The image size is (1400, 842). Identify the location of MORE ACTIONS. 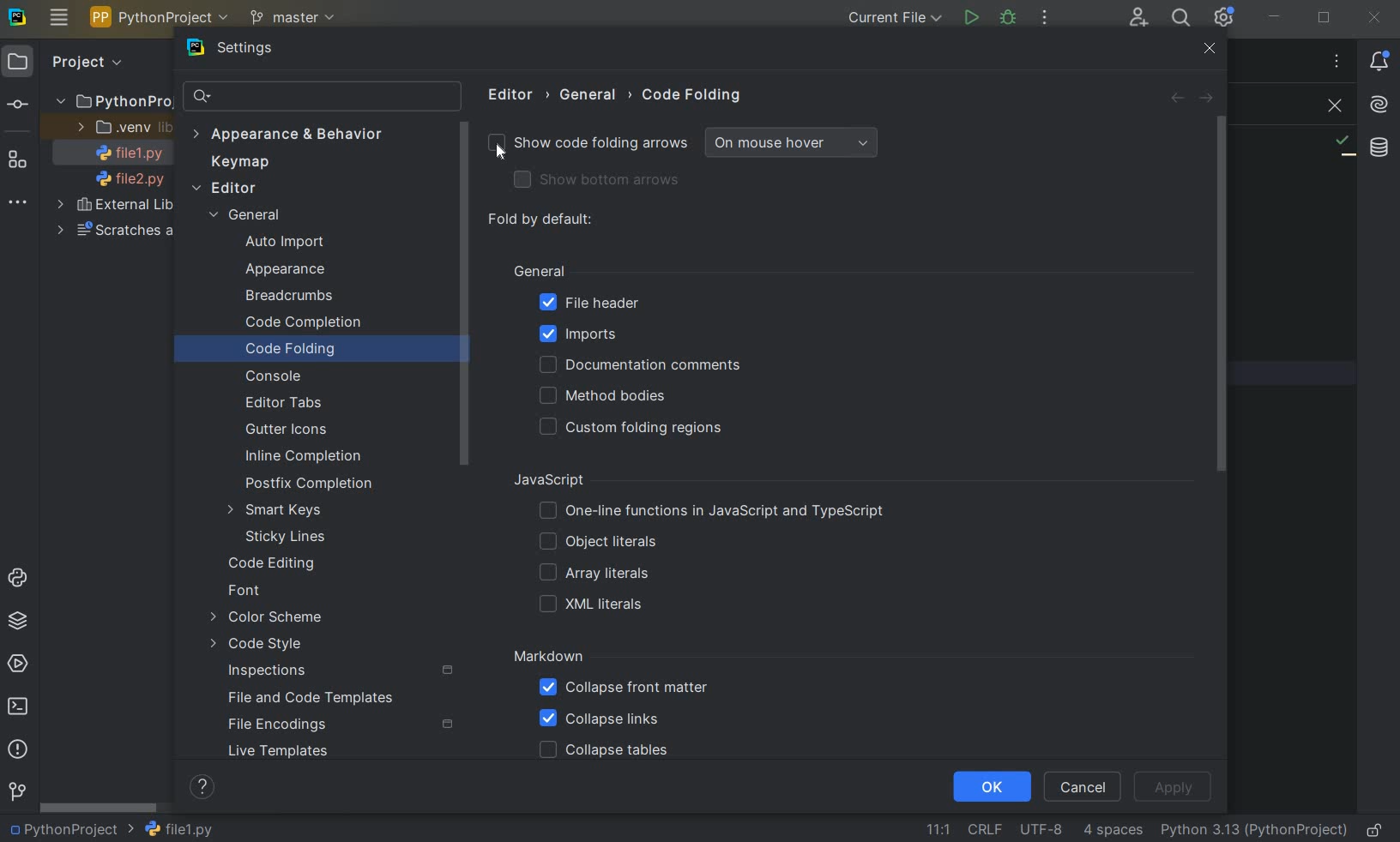
(1046, 17).